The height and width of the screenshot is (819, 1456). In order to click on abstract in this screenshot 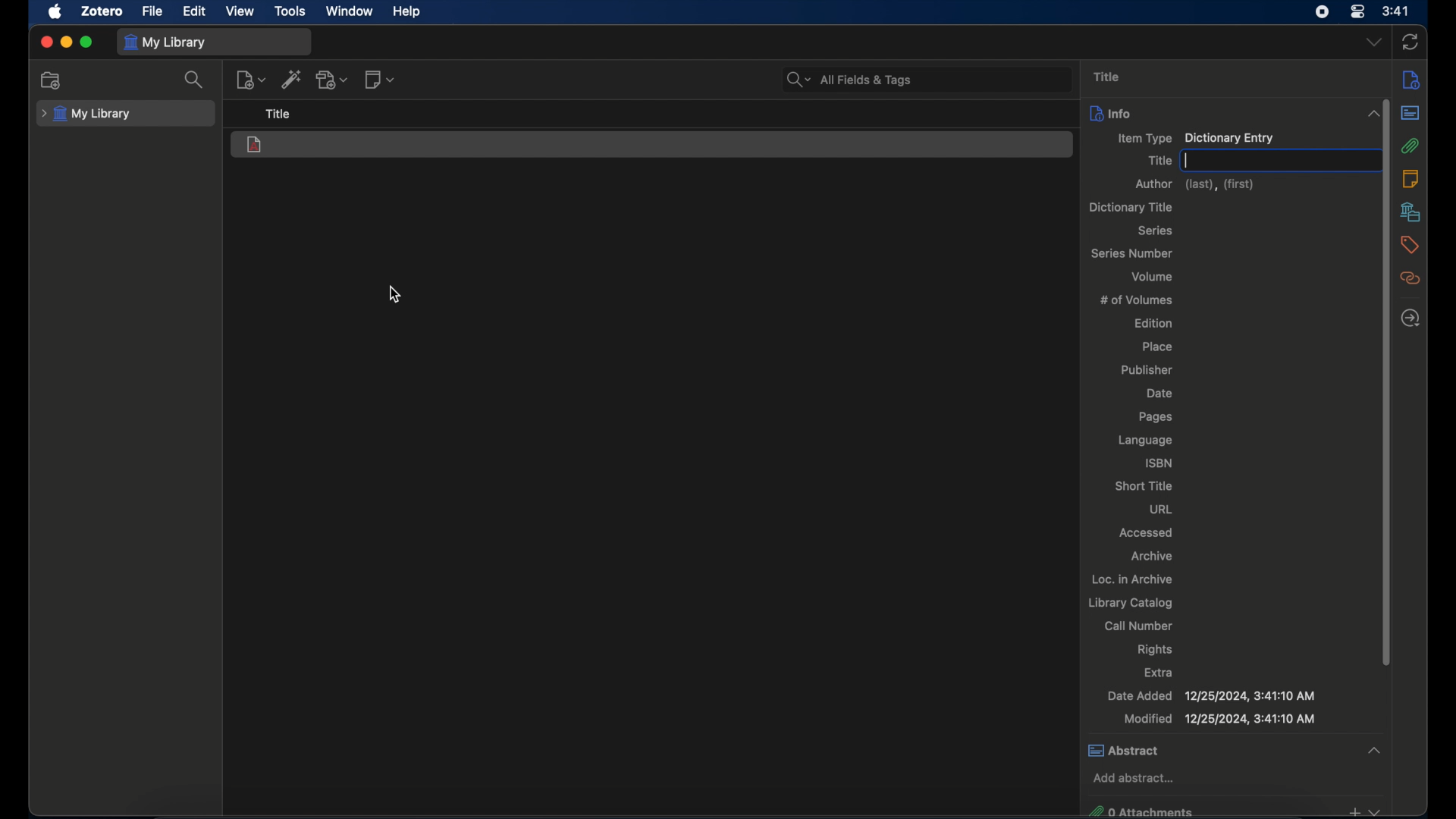, I will do `click(1410, 113)`.